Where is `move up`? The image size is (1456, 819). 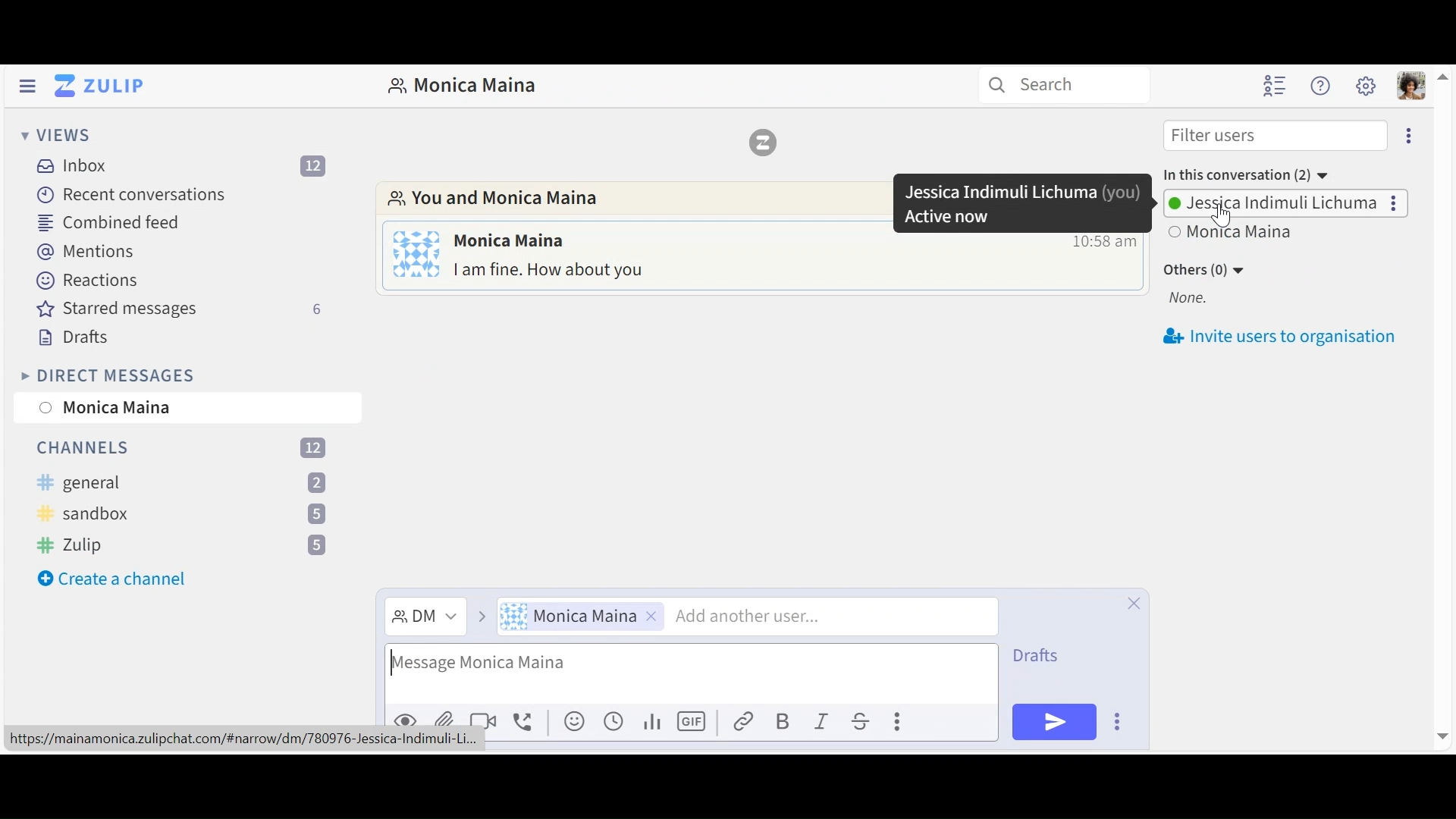 move up is located at coordinates (1442, 75).